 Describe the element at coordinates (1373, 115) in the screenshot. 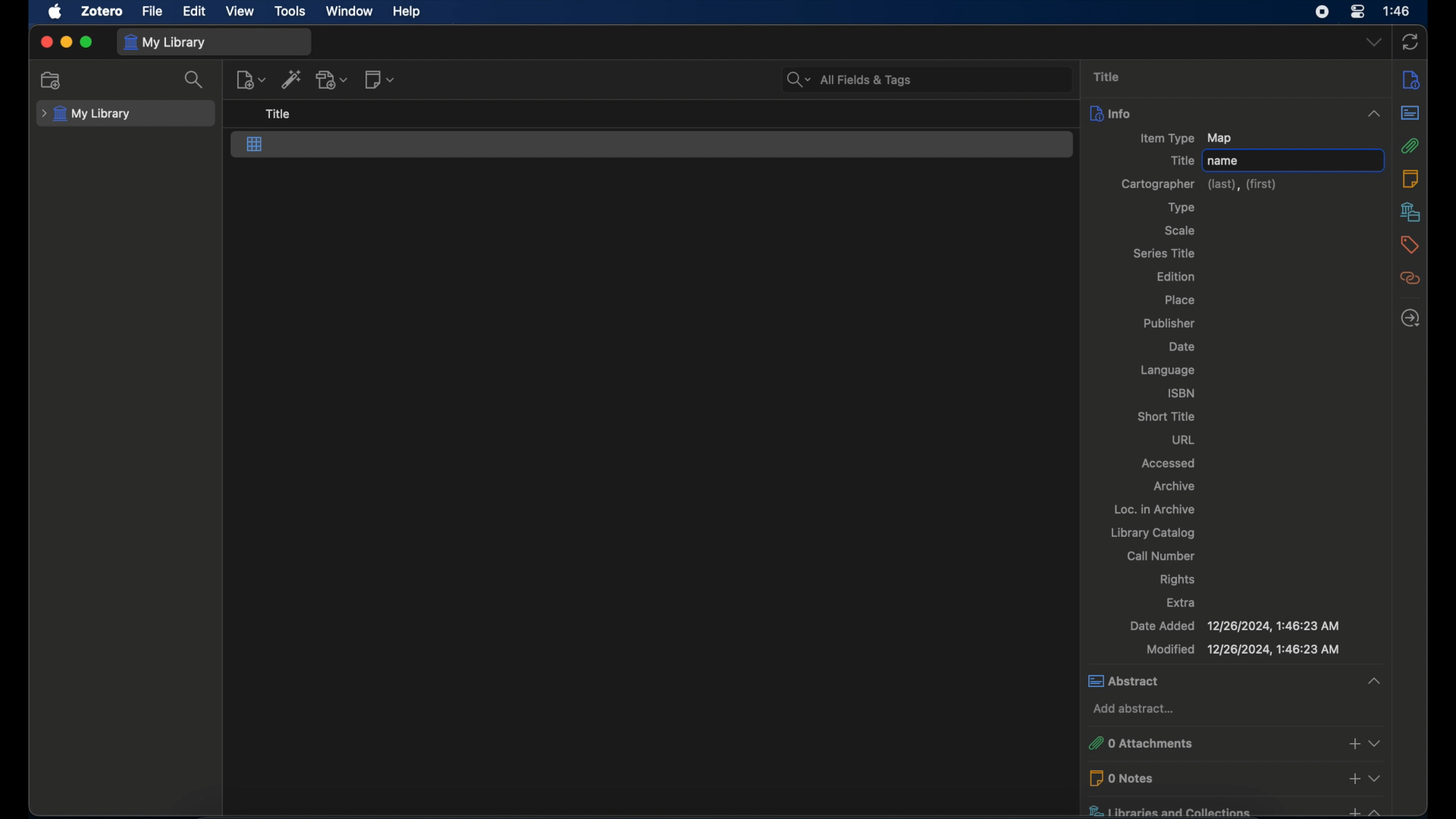

I see `Collapse or expand ` at that location.